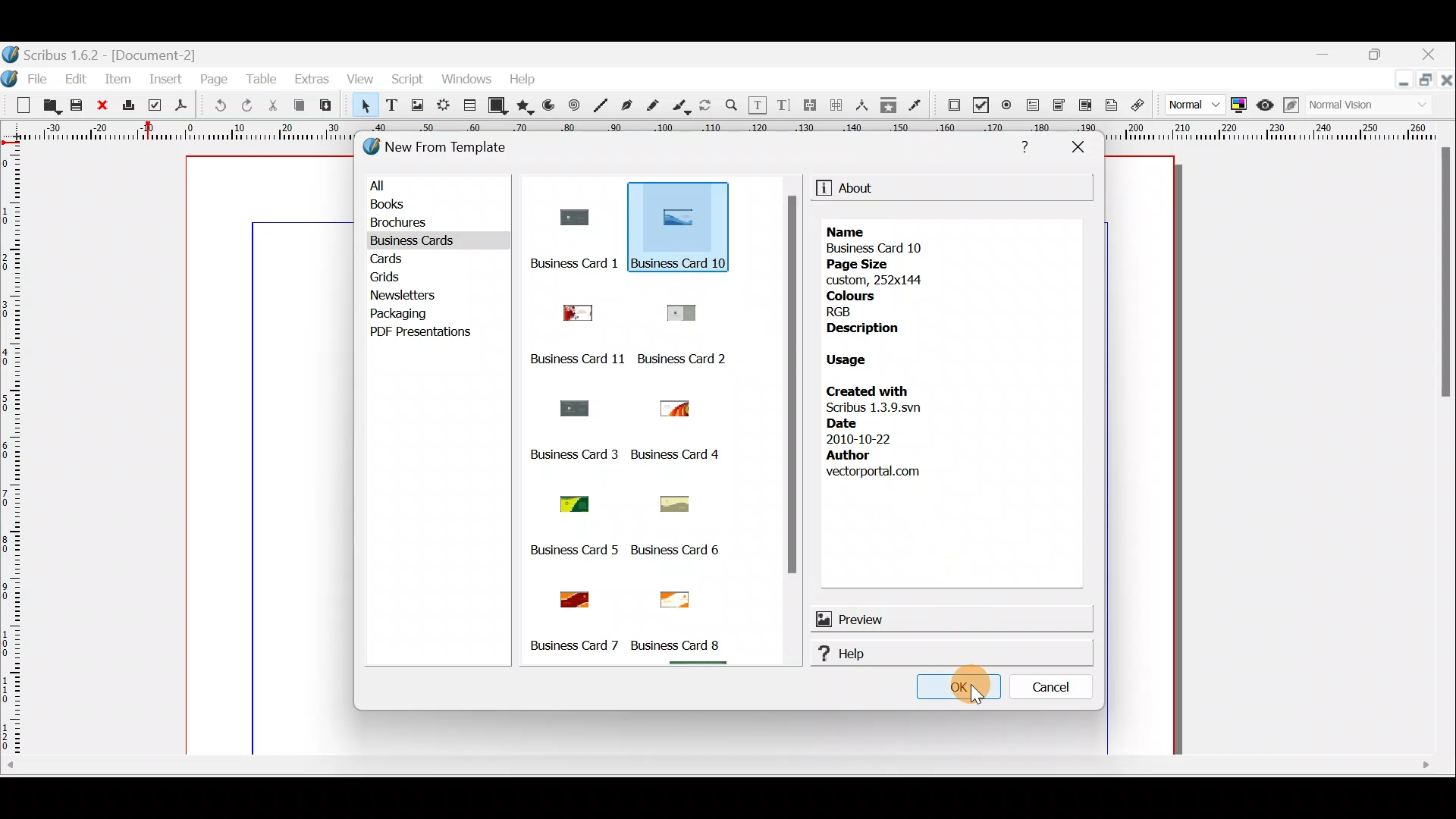  I want to click on Close, so click(1436, 52).